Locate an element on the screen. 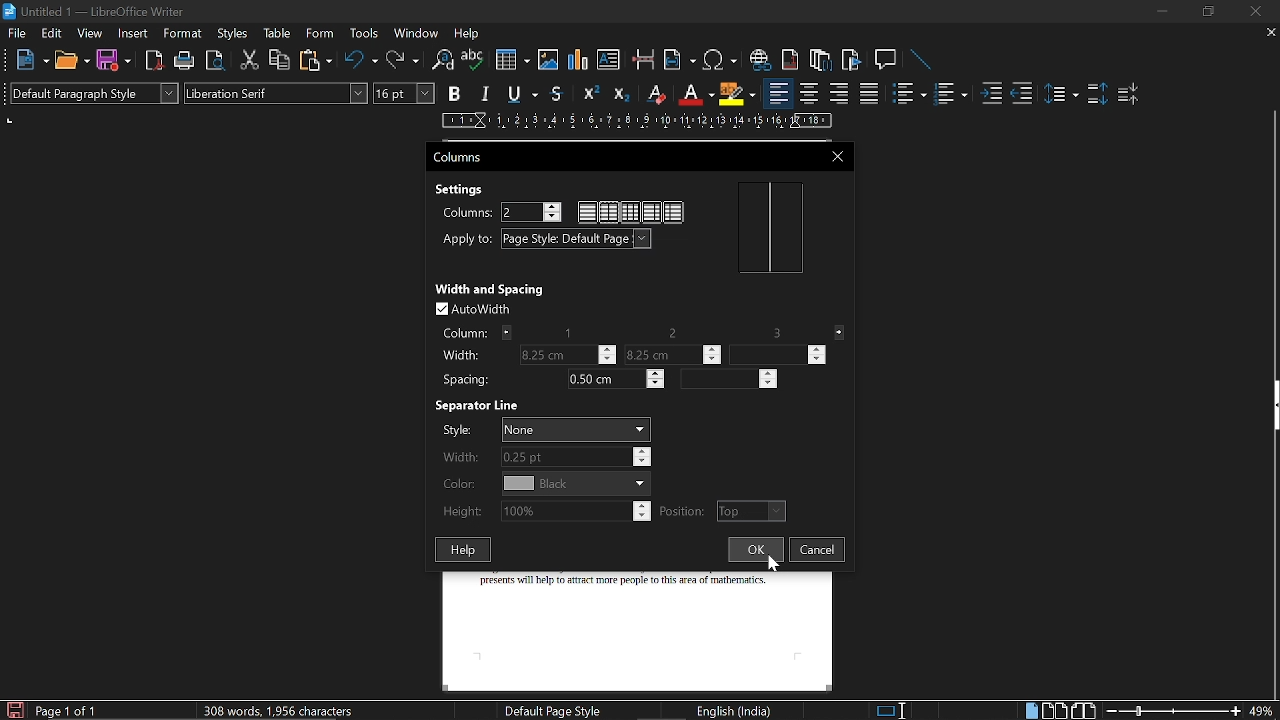 This screenshot has height=720, width=1280. Decrease indent is located at coordinates (1026, 93).